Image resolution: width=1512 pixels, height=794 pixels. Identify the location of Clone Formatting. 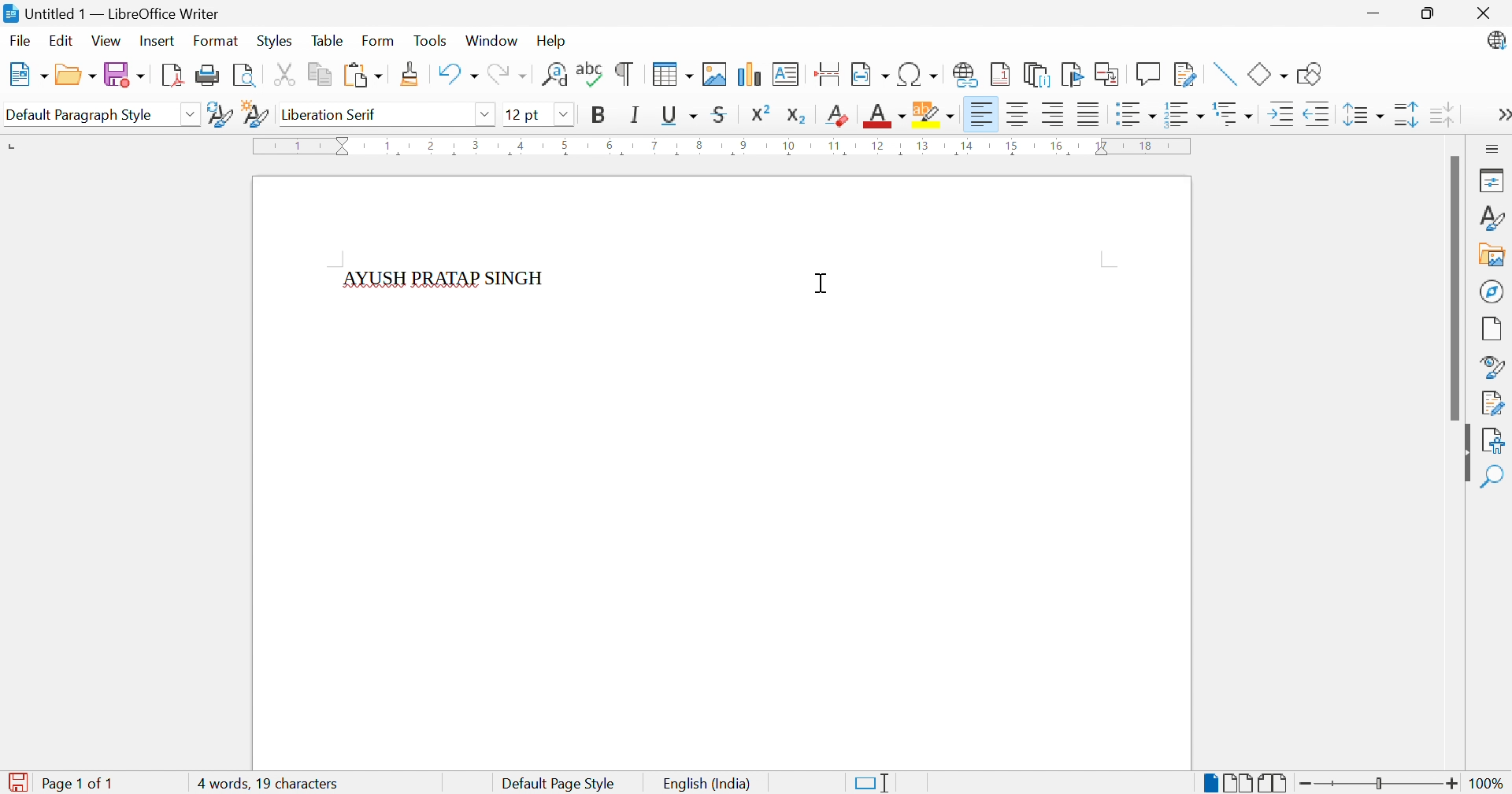
(410, 73).